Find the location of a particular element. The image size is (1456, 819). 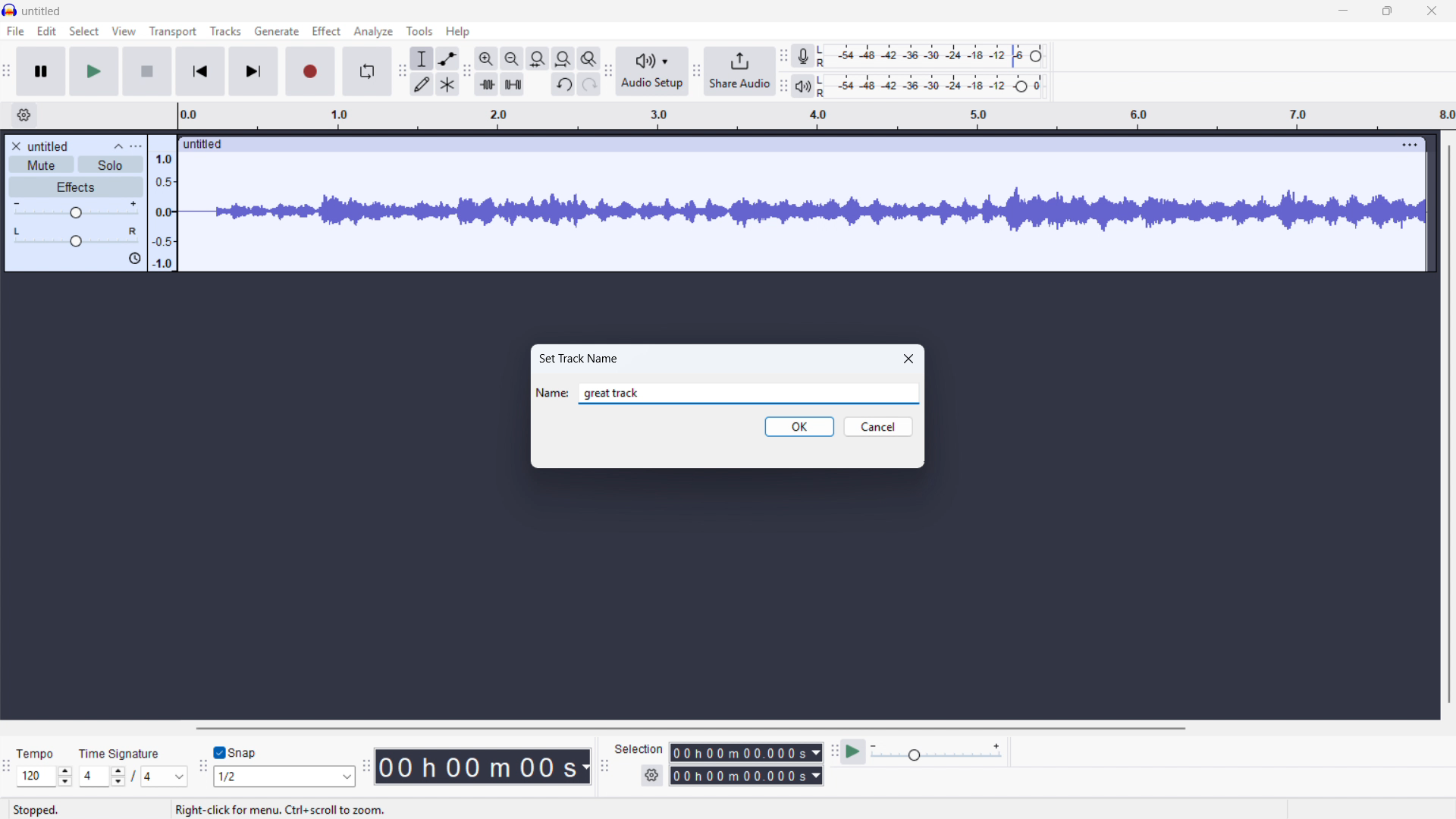

Timestamp  is located at coordinates (485, 767).